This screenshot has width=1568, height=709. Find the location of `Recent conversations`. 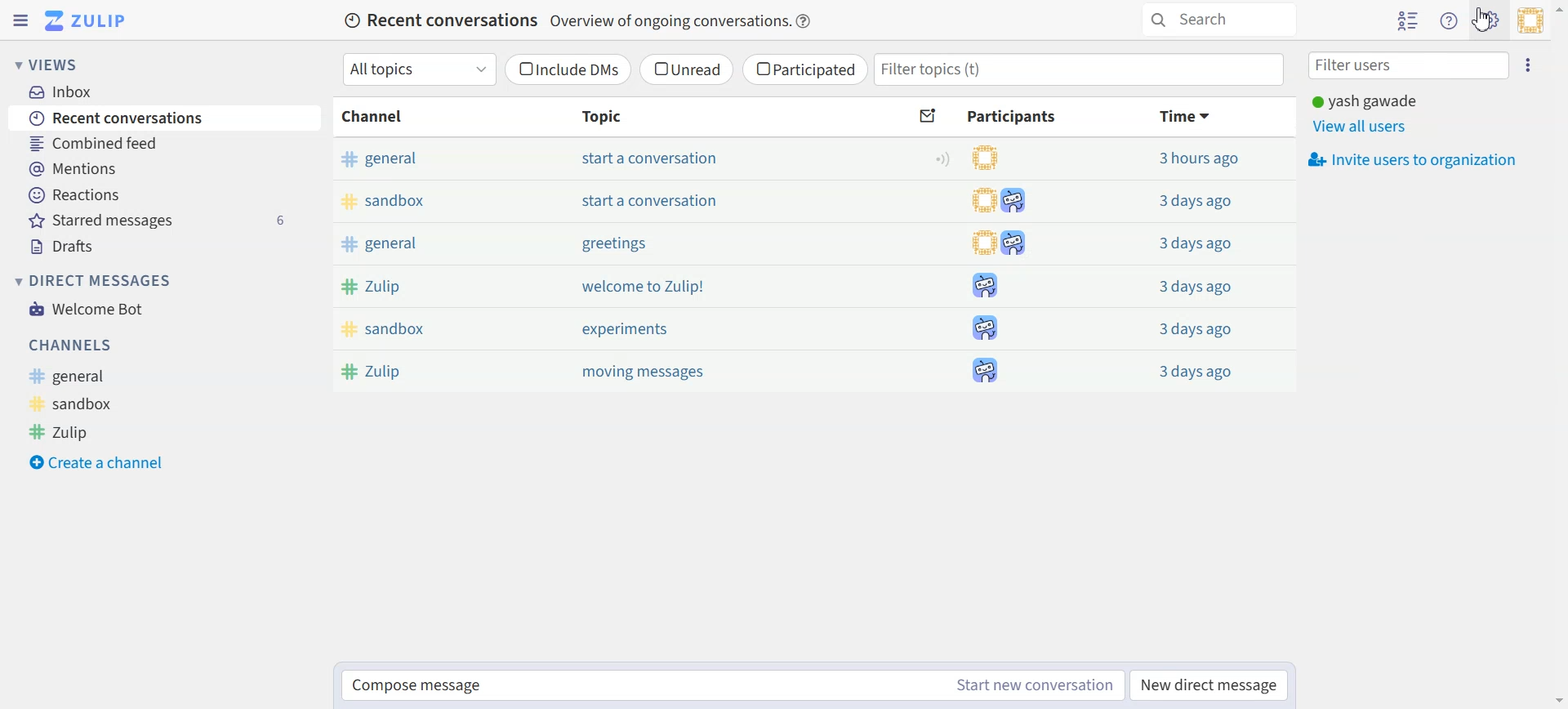

Recent conversations is located at coordinates (163, 118).